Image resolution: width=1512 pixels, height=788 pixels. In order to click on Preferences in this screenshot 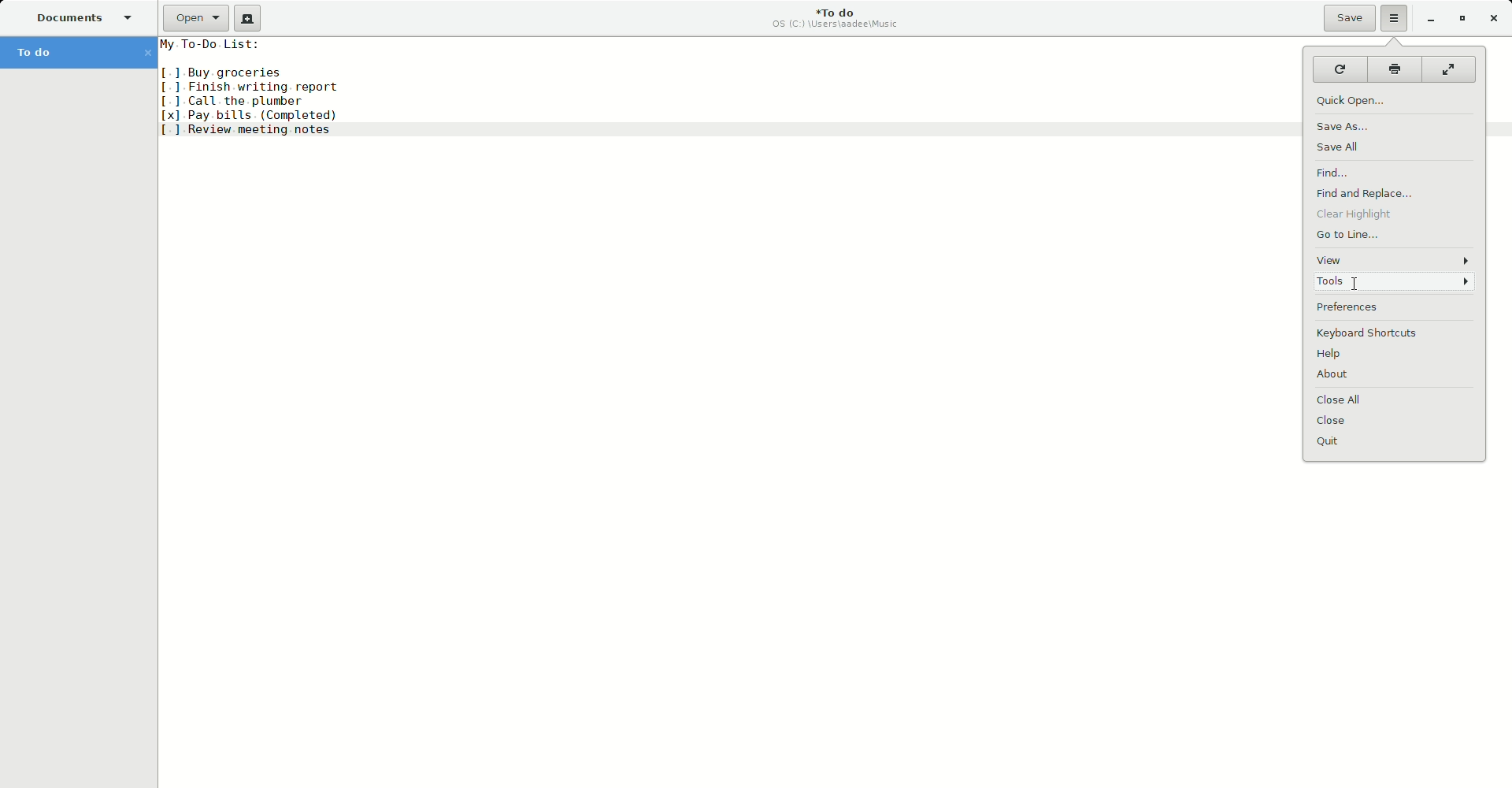, I will do `click(1357, 310)`.